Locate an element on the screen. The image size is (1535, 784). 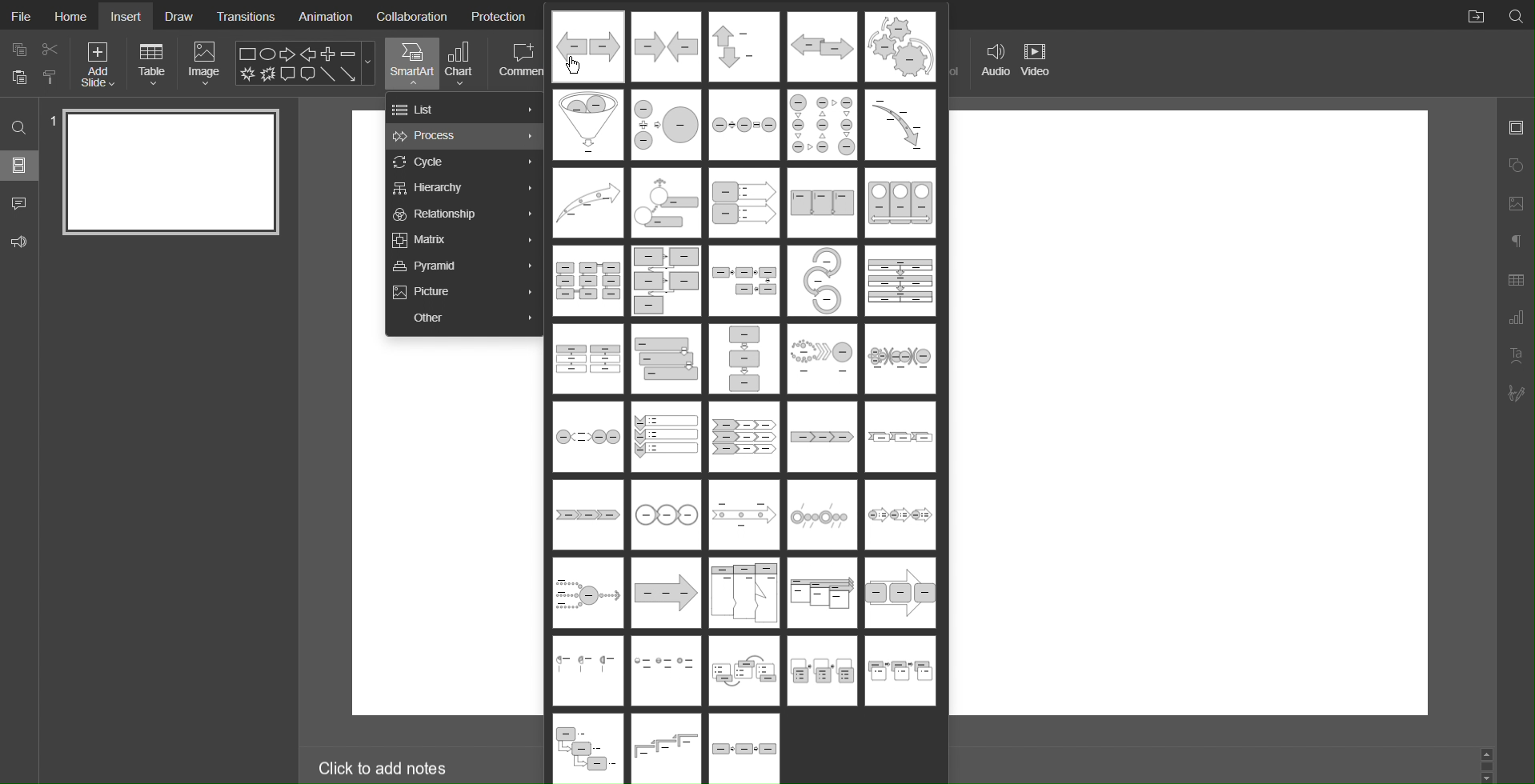
Process Template 9 is located at coordinates (824, 126).